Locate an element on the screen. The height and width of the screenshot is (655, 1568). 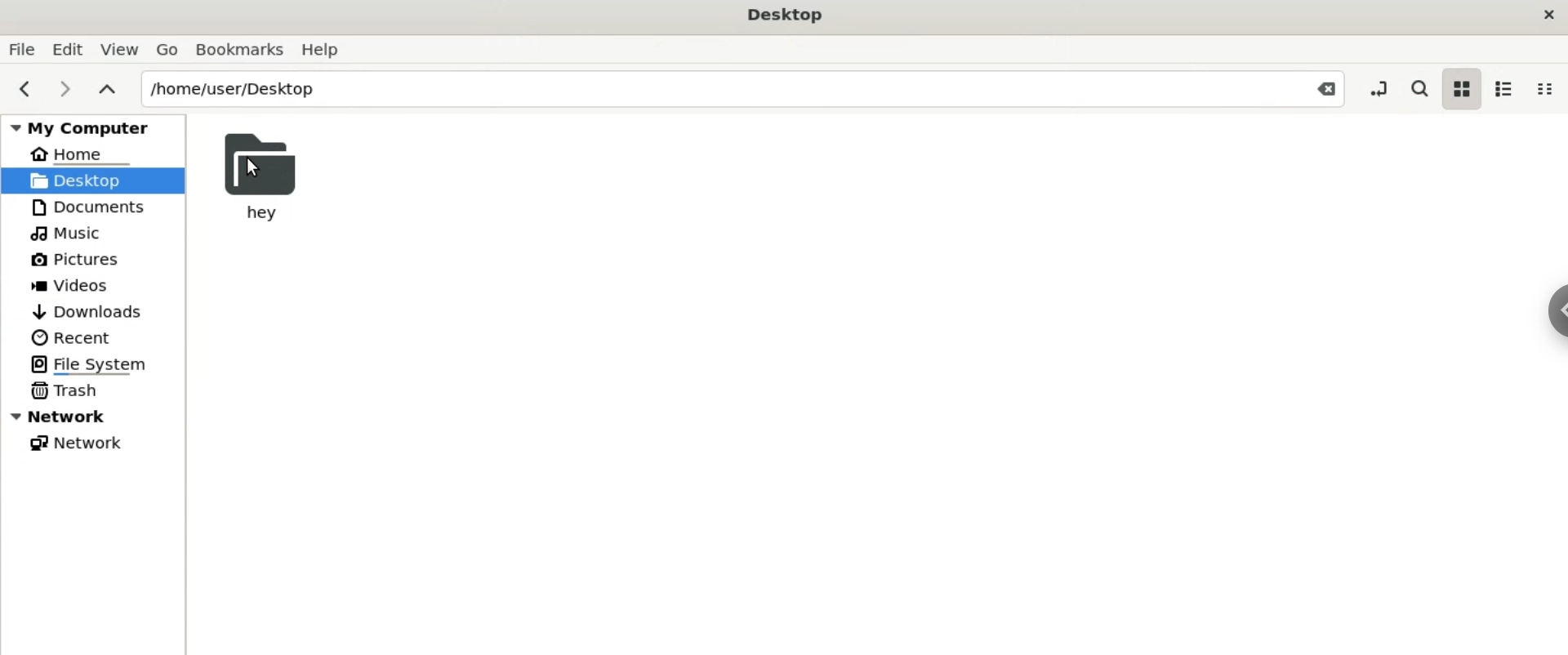
file  is located at coordinates (20, 50).